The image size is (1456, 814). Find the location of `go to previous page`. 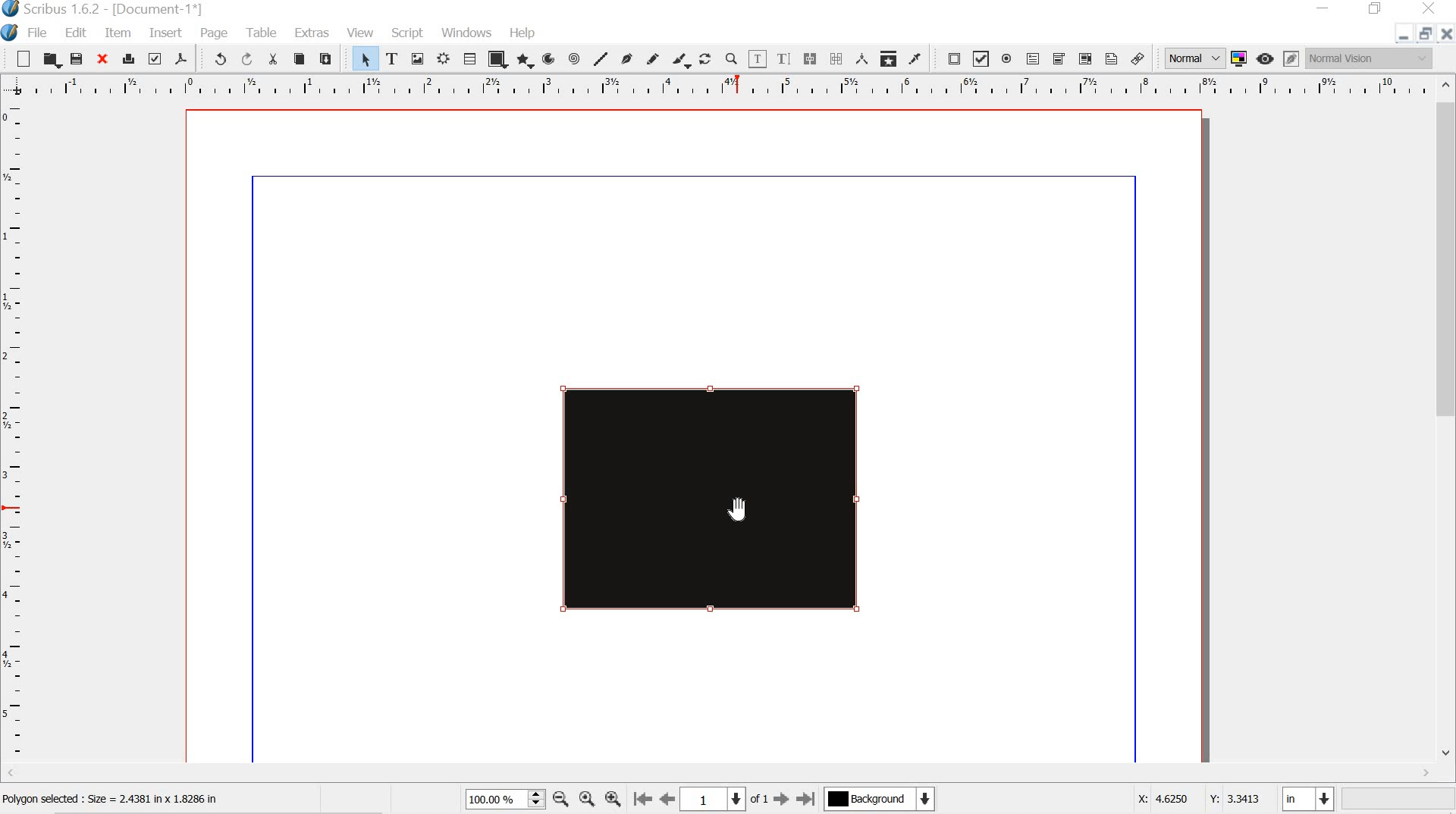

go to previous page is located at coordinates (666, 800).